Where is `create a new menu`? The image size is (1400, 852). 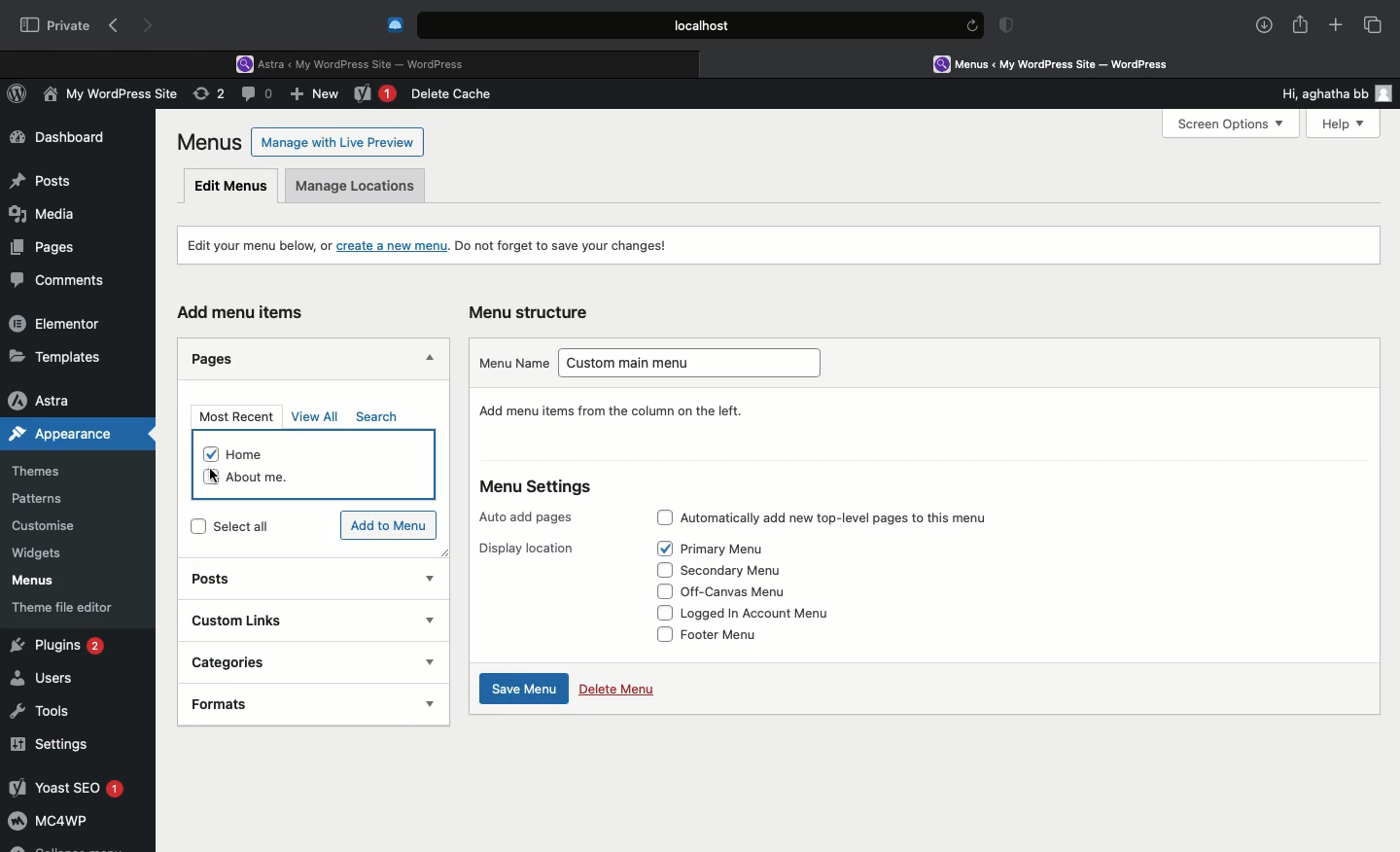
create a new menu is located at coordinates (394, 244).